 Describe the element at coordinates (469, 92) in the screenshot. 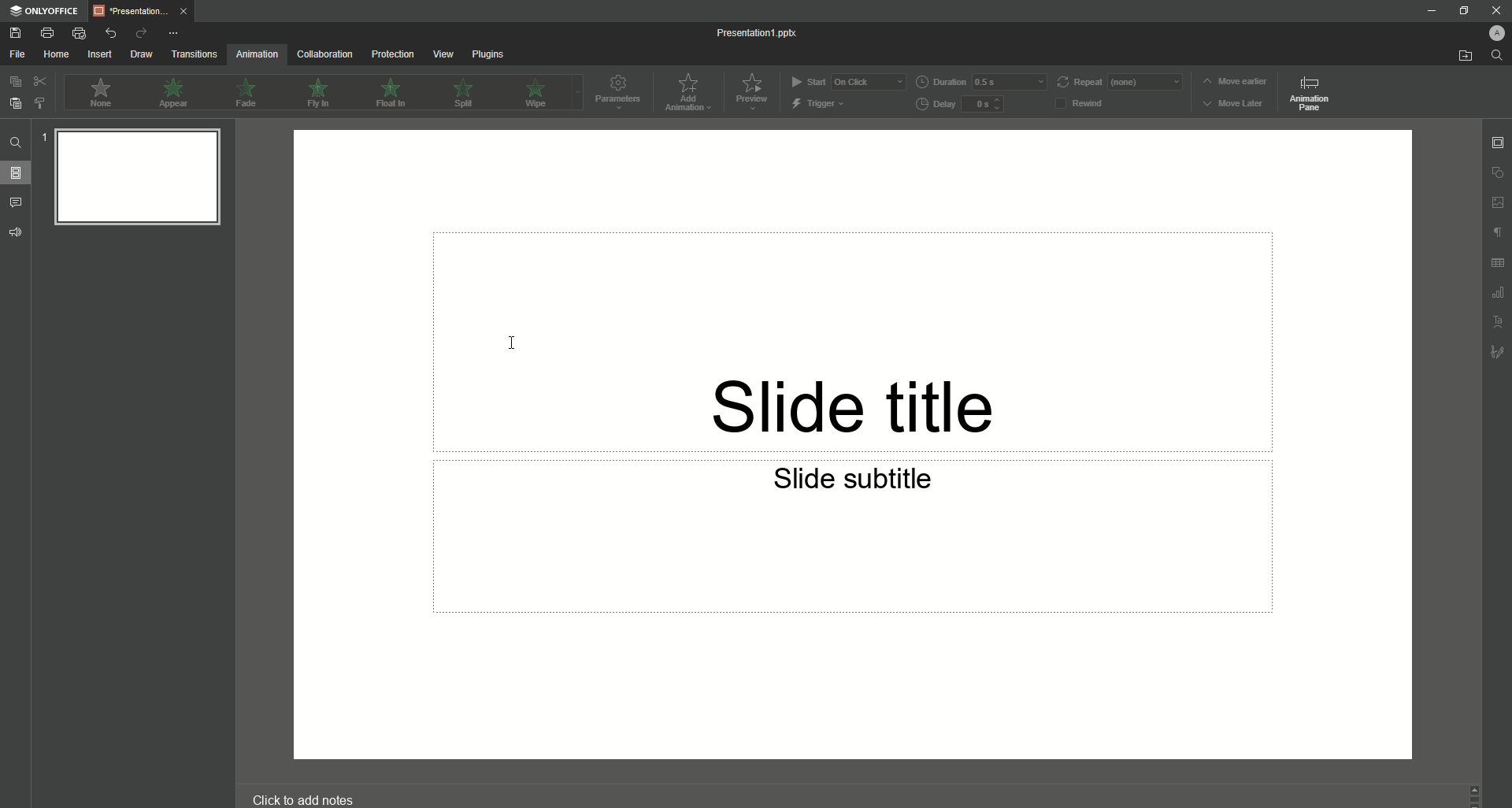

I see `Split` at that location.